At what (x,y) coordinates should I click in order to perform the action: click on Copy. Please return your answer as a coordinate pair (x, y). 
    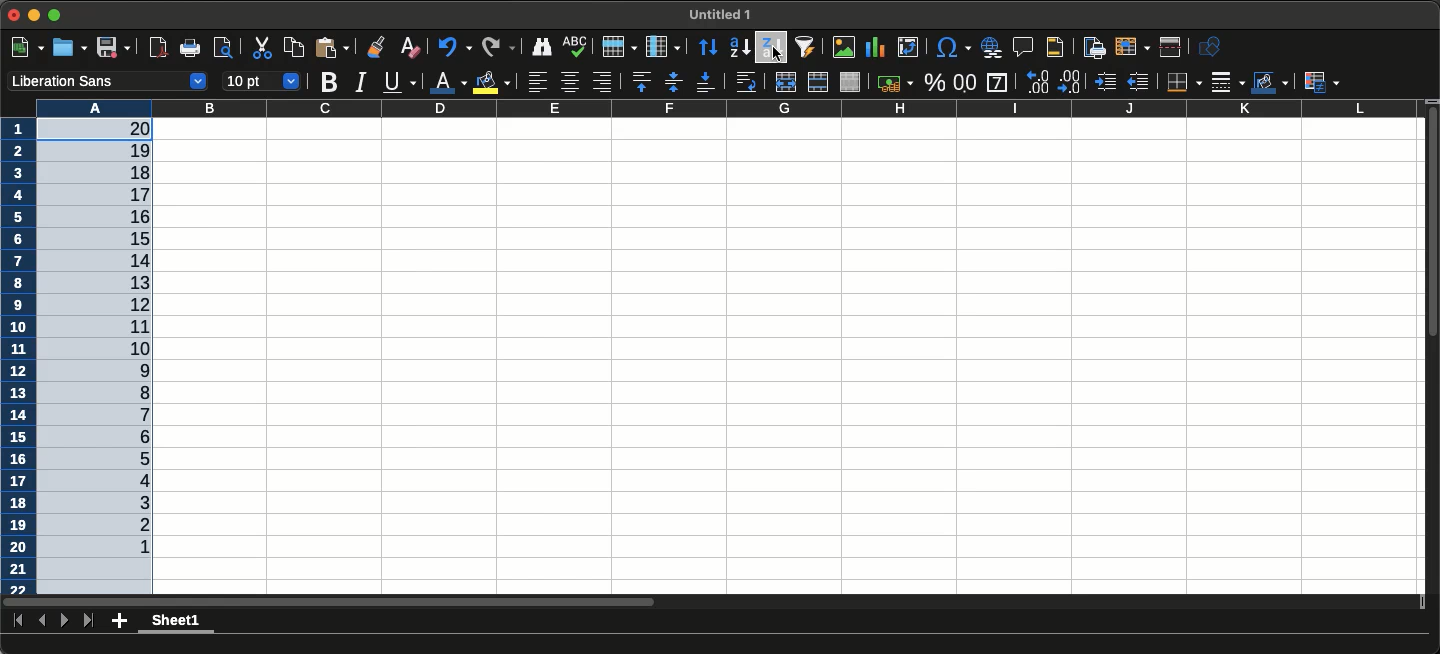
    Looking at the image, I should click on (293, 47).